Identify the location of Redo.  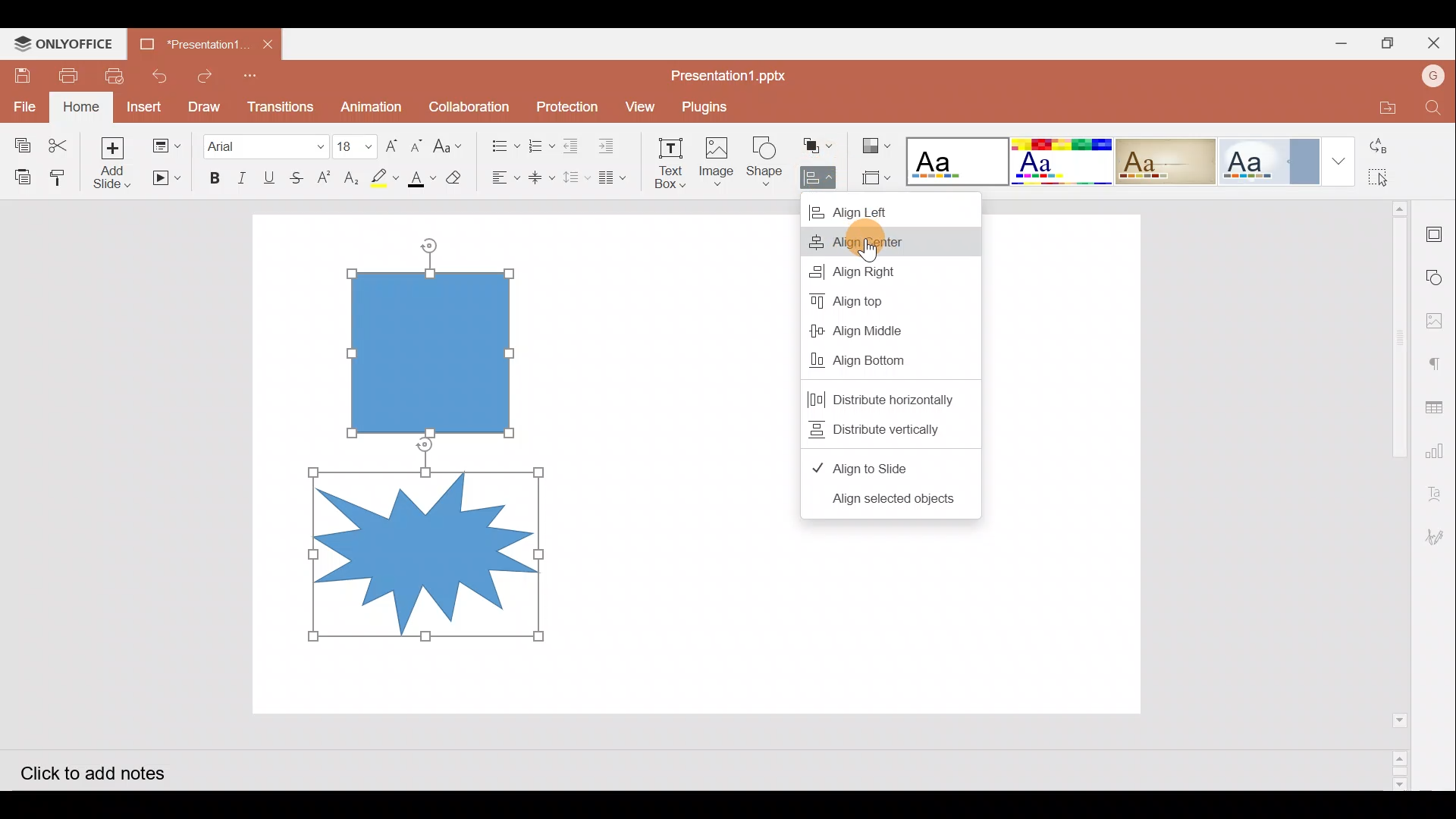
(203, 72).